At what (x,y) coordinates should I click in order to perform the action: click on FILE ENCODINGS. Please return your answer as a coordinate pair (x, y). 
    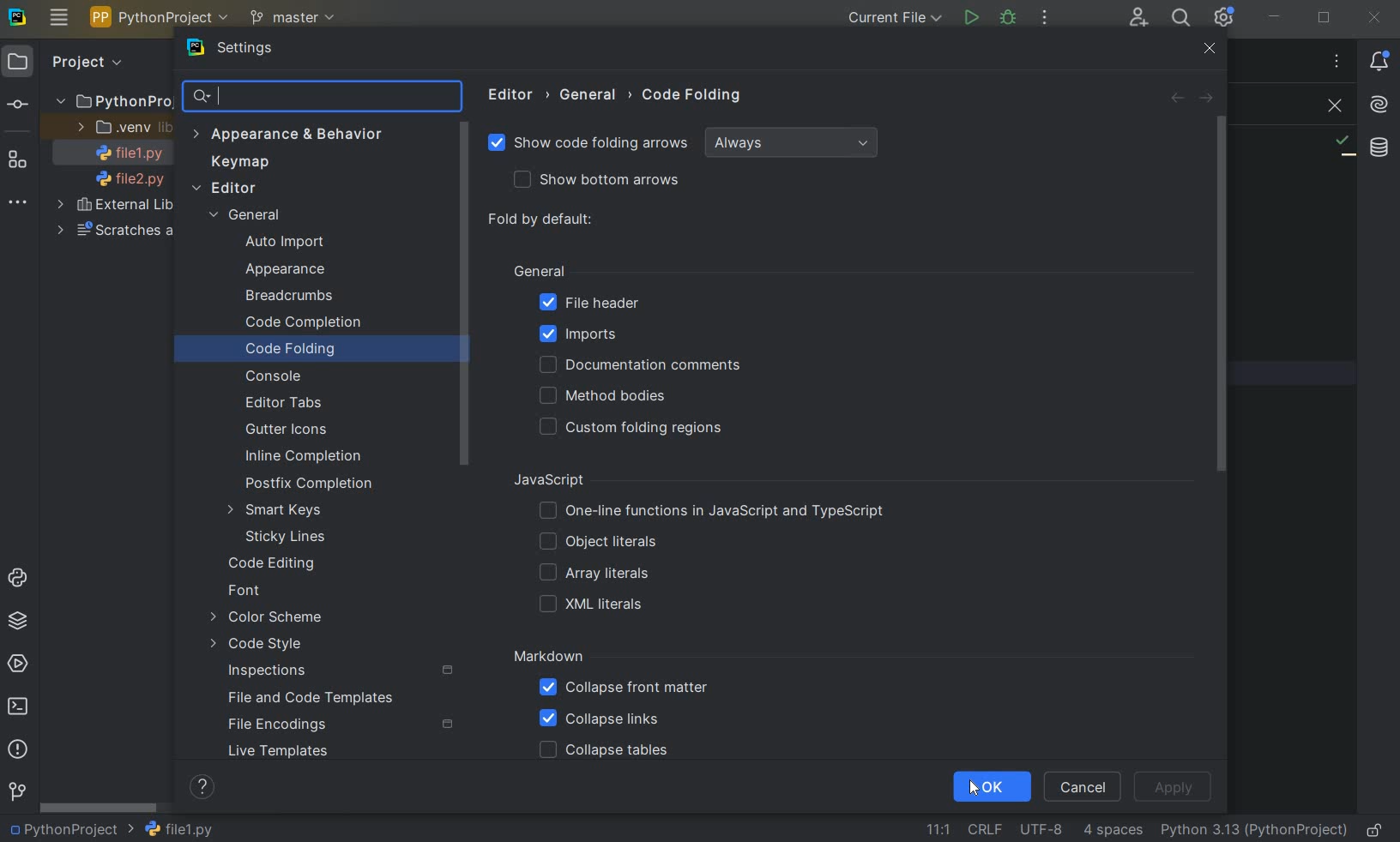
    Looking at the image, I should click on (340, 725).